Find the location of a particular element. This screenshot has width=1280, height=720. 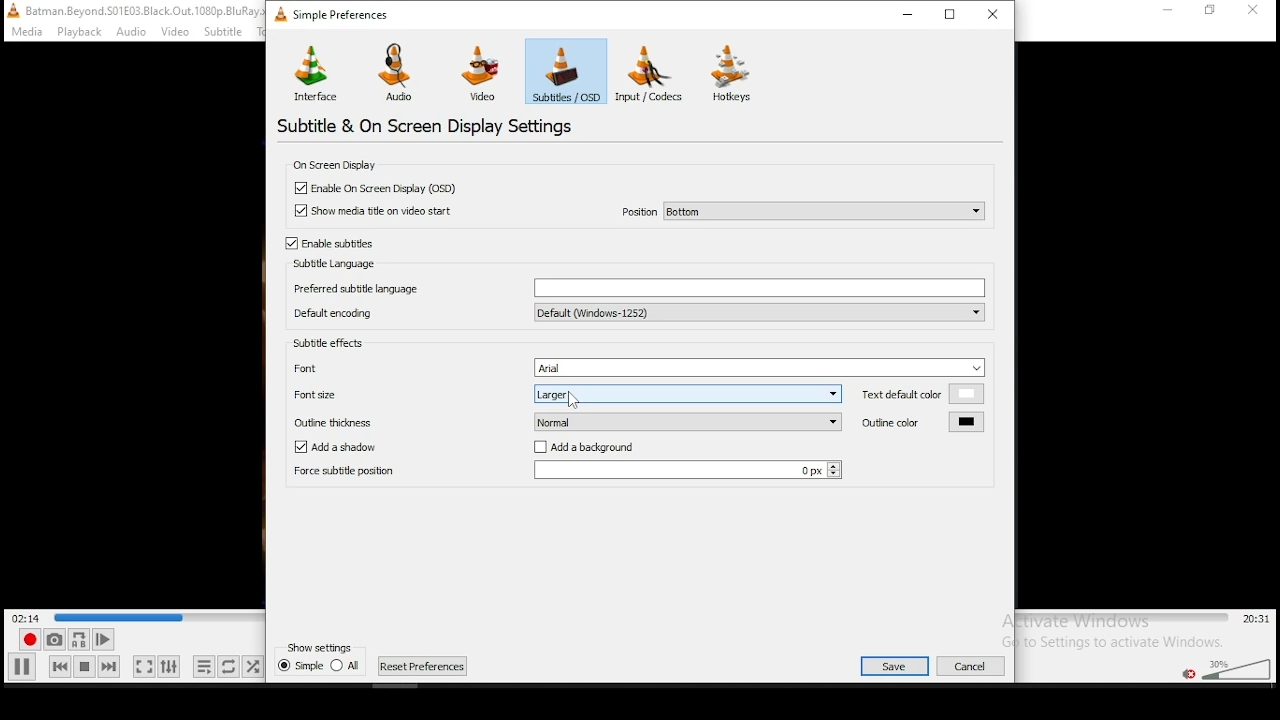

checkbox: show media title on video start is located at coordinates (377, 212).